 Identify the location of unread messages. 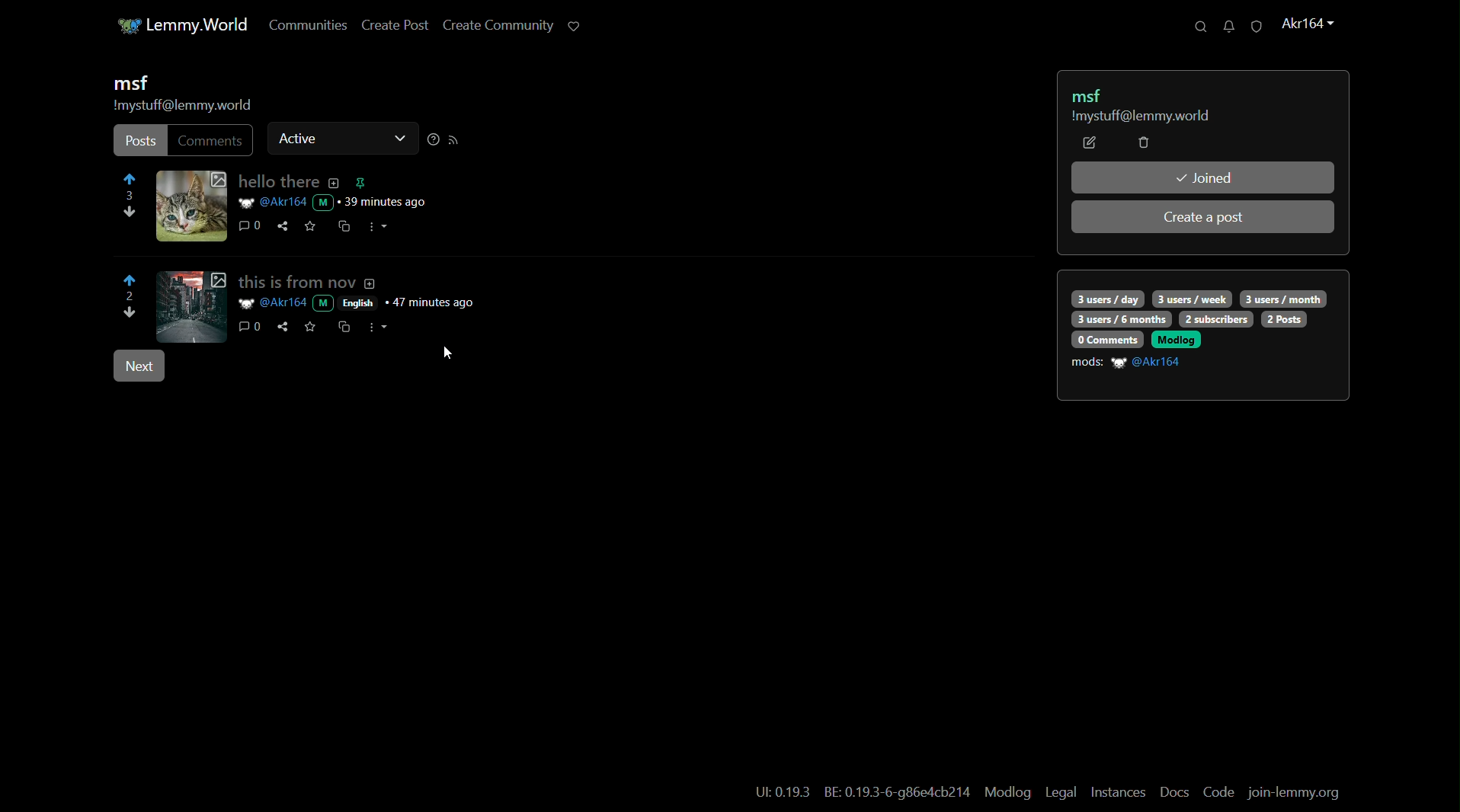
(1225, 26).